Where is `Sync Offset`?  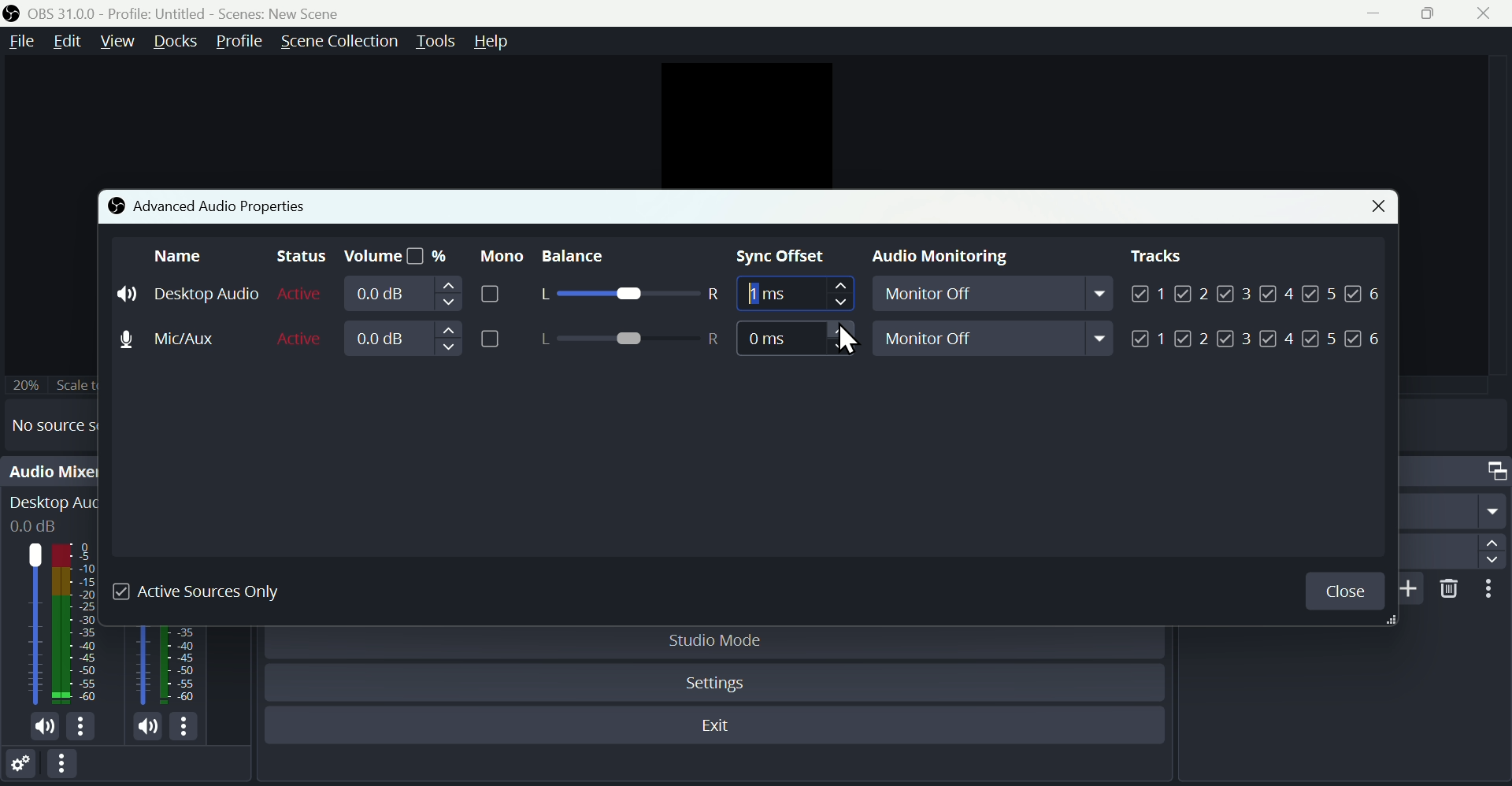
Sync Offset is located at coordinates (793, 296).